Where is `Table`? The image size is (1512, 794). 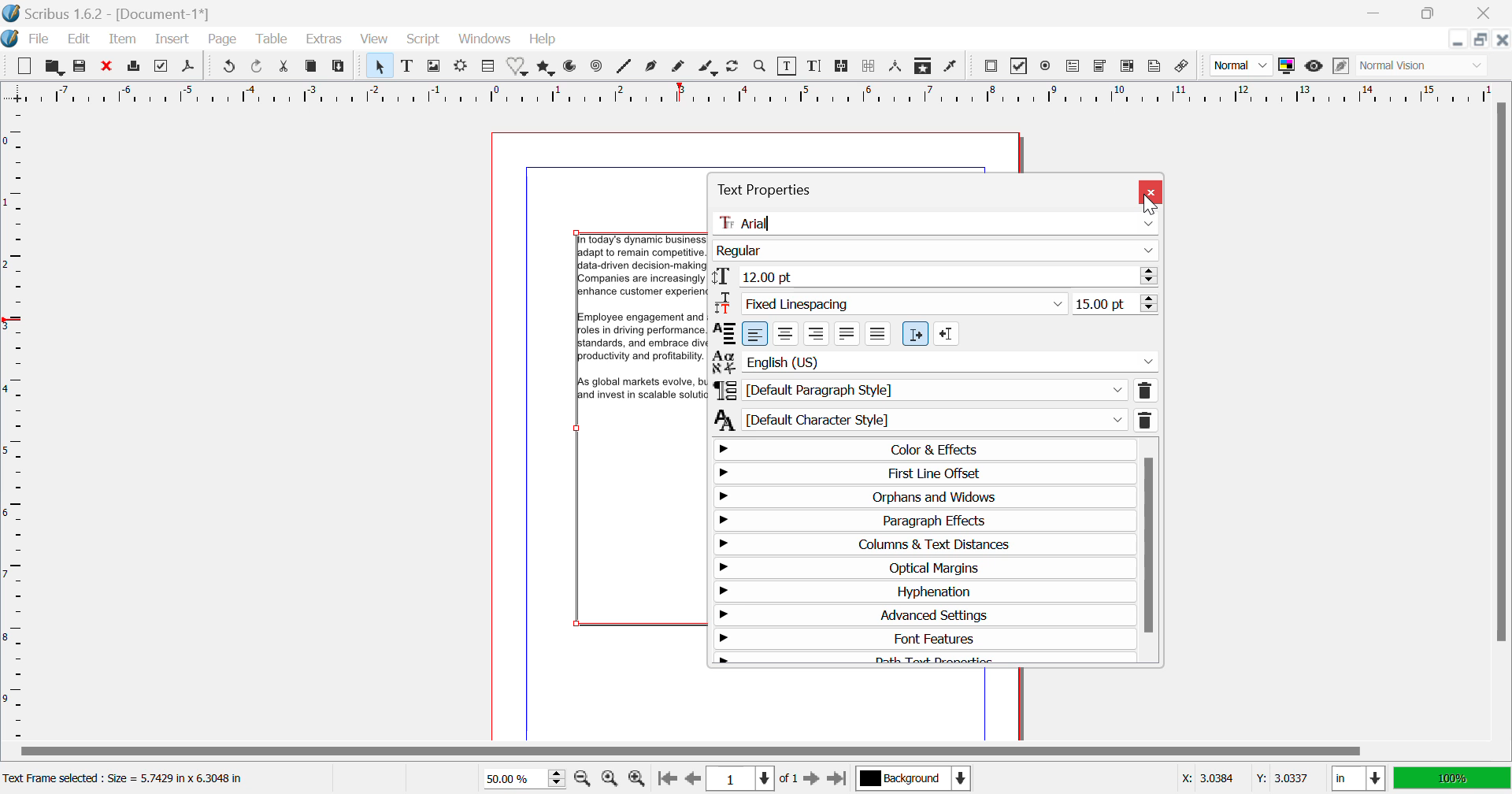
Table is located at coordinates (488, 66).